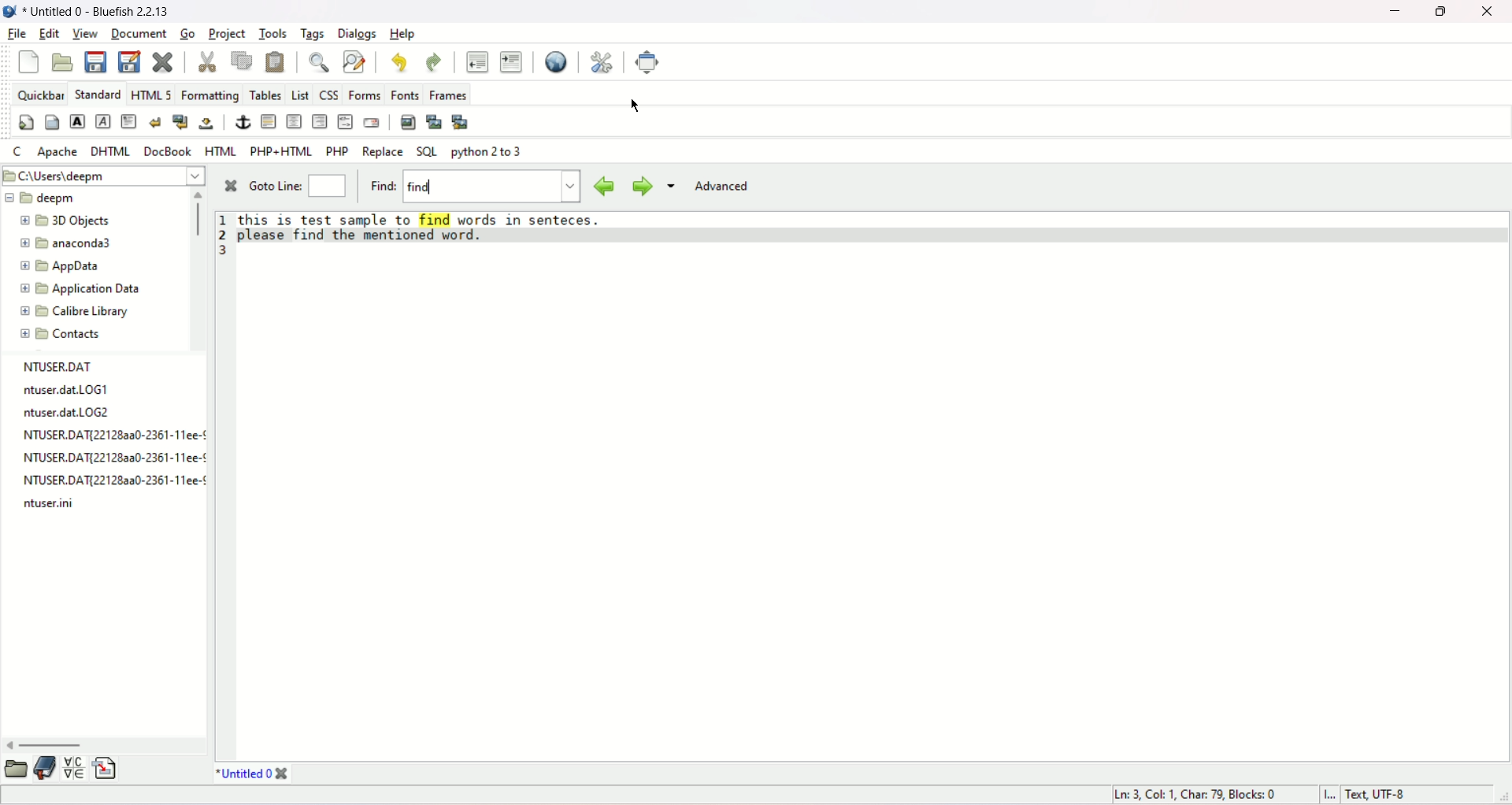 This screenshot has height=805, width=1512. What do you see at coordinates (636, 107) in the screenshot?
I see `cursor` at bounding box center [636, 107].